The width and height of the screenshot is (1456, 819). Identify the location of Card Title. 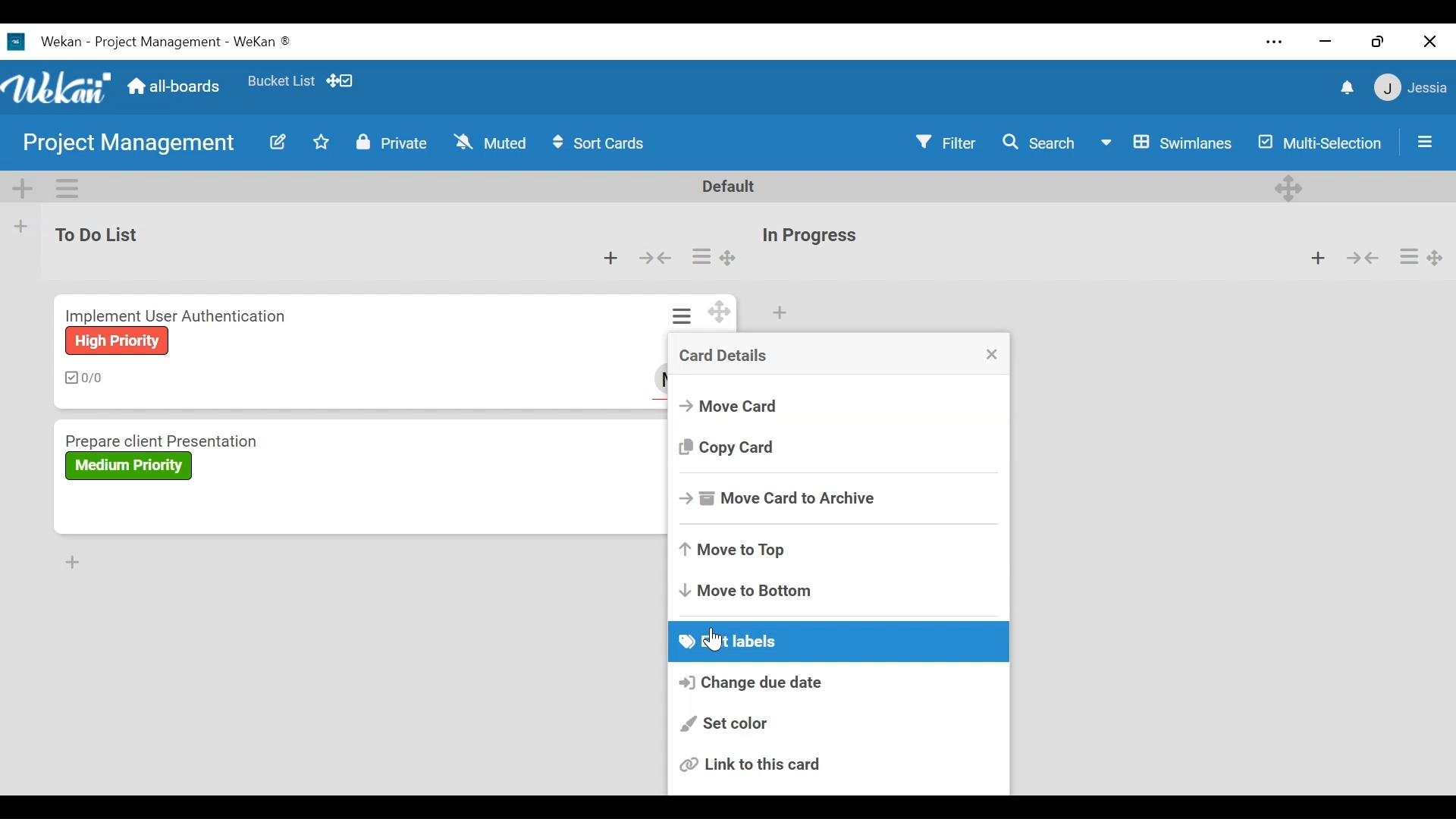
(218, 439).